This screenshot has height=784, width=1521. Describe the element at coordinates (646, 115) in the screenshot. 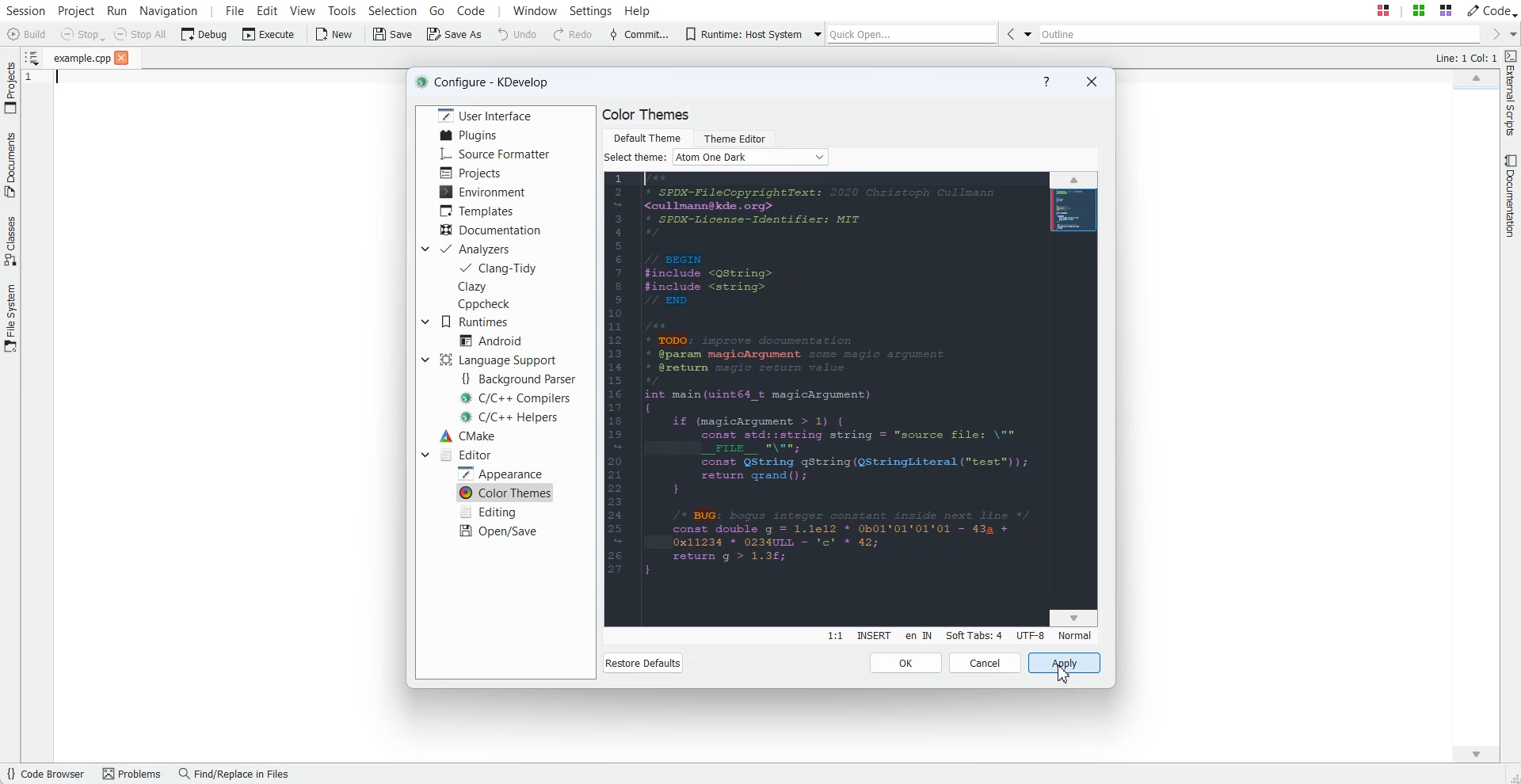

I see `Text` at that location.